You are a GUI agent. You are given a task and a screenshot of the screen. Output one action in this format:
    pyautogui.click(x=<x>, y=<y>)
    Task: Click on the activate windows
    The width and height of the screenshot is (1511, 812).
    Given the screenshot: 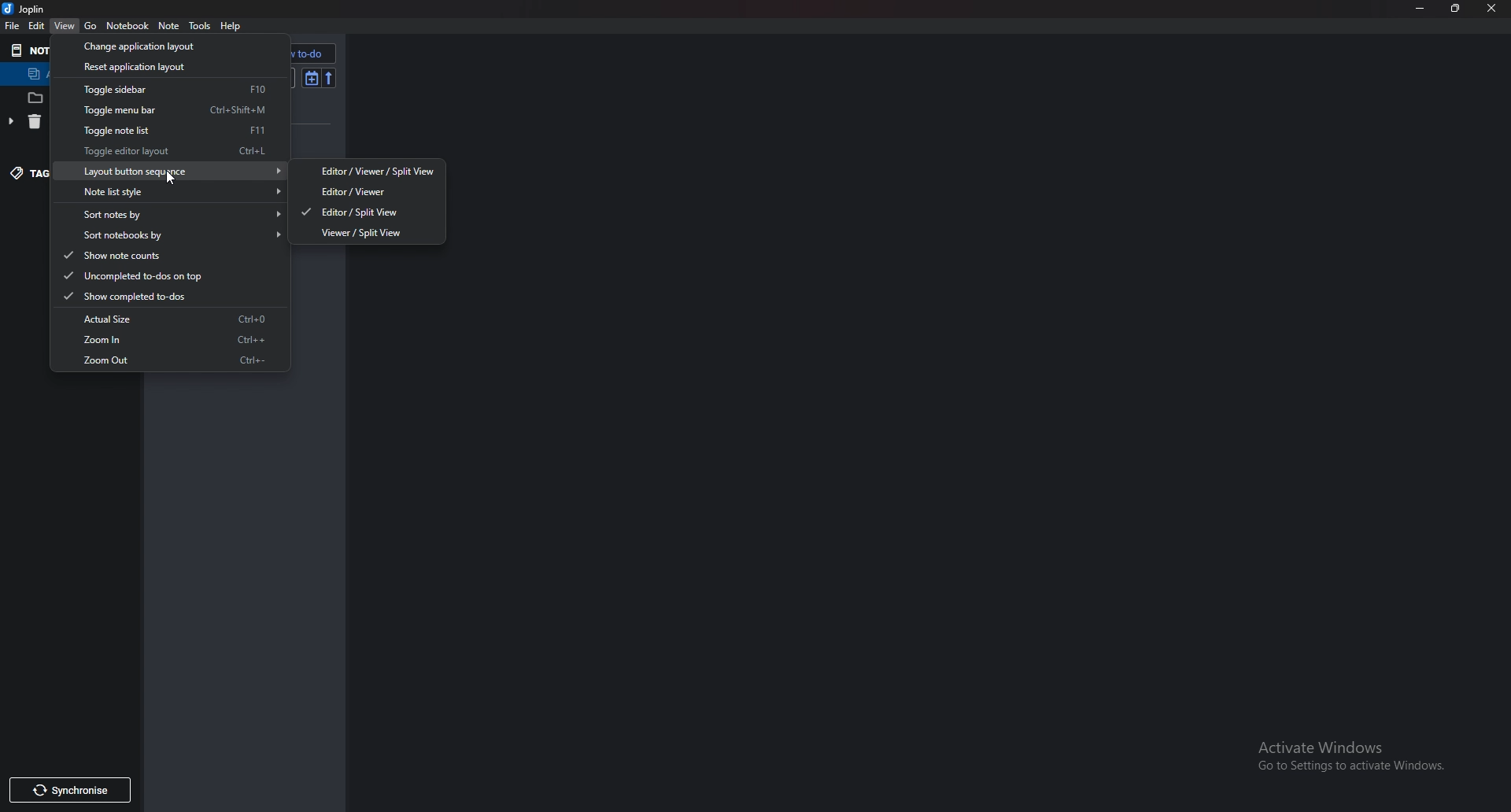 What is the action you would take?
    pyautogui.click(x=1360, y=754)
    